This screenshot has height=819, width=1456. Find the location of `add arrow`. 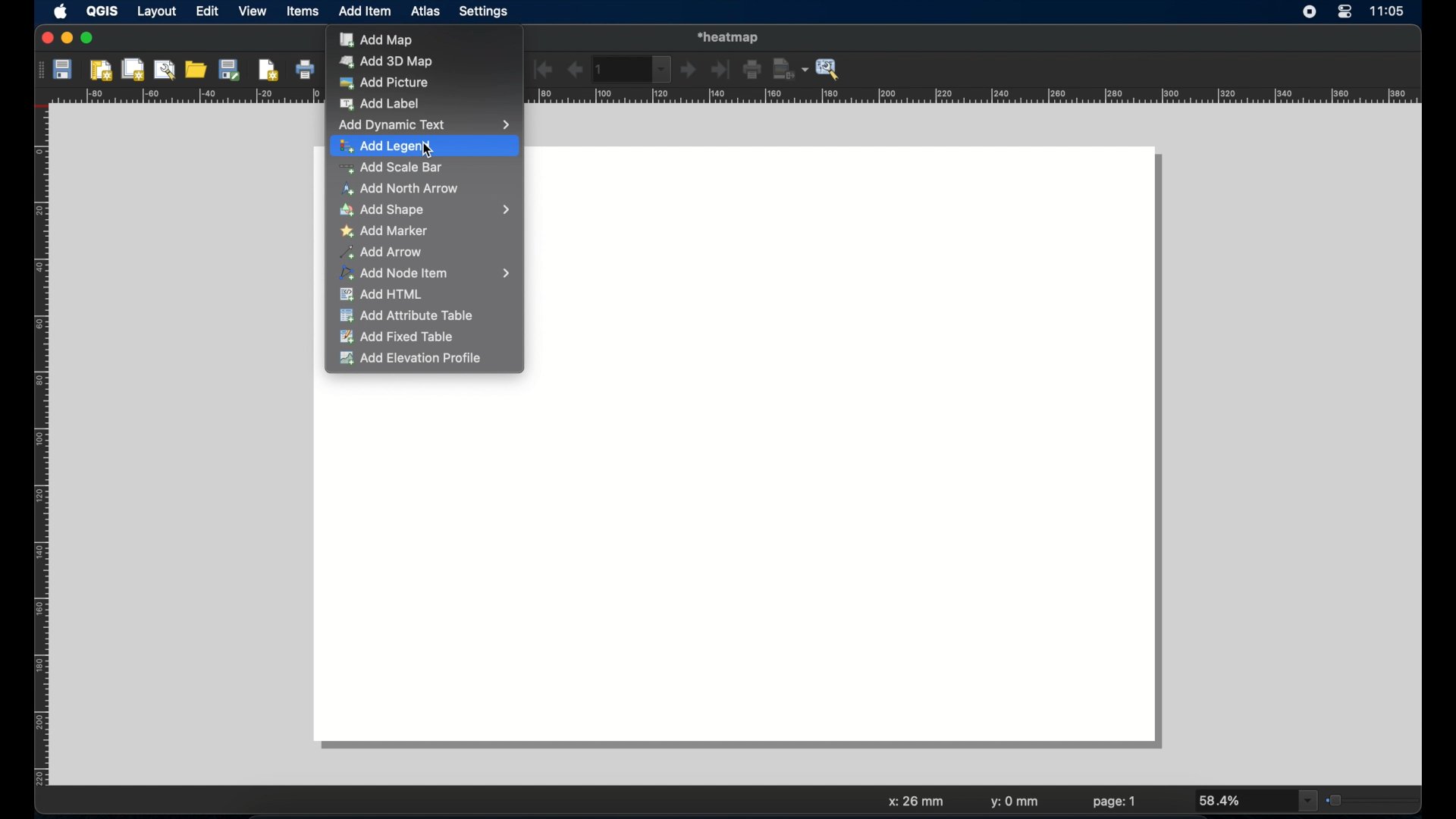

add arrow is located at coordinates (383, 253).